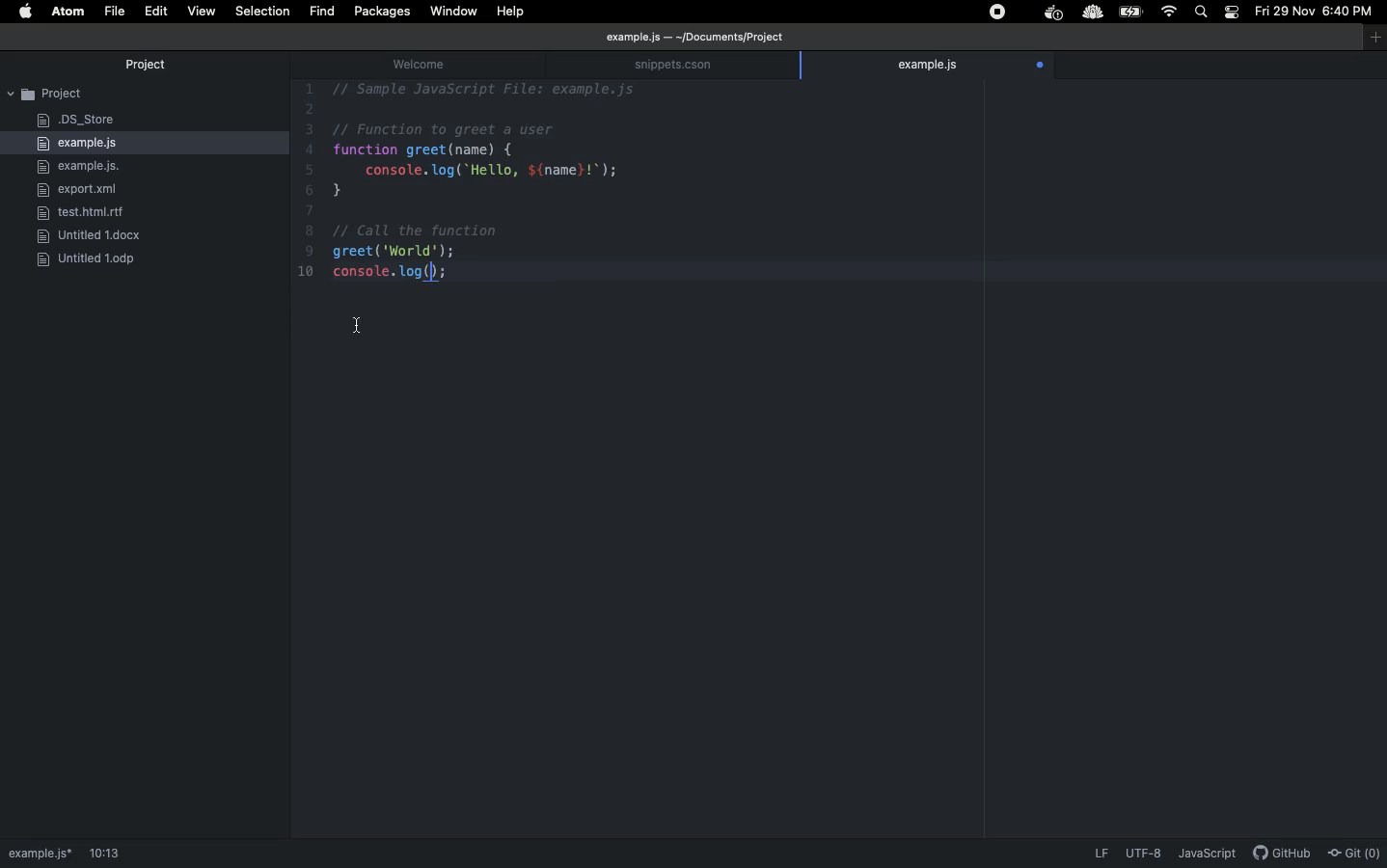 The image size is (1387, 868). I want to click on extension, so click(1092, 14).